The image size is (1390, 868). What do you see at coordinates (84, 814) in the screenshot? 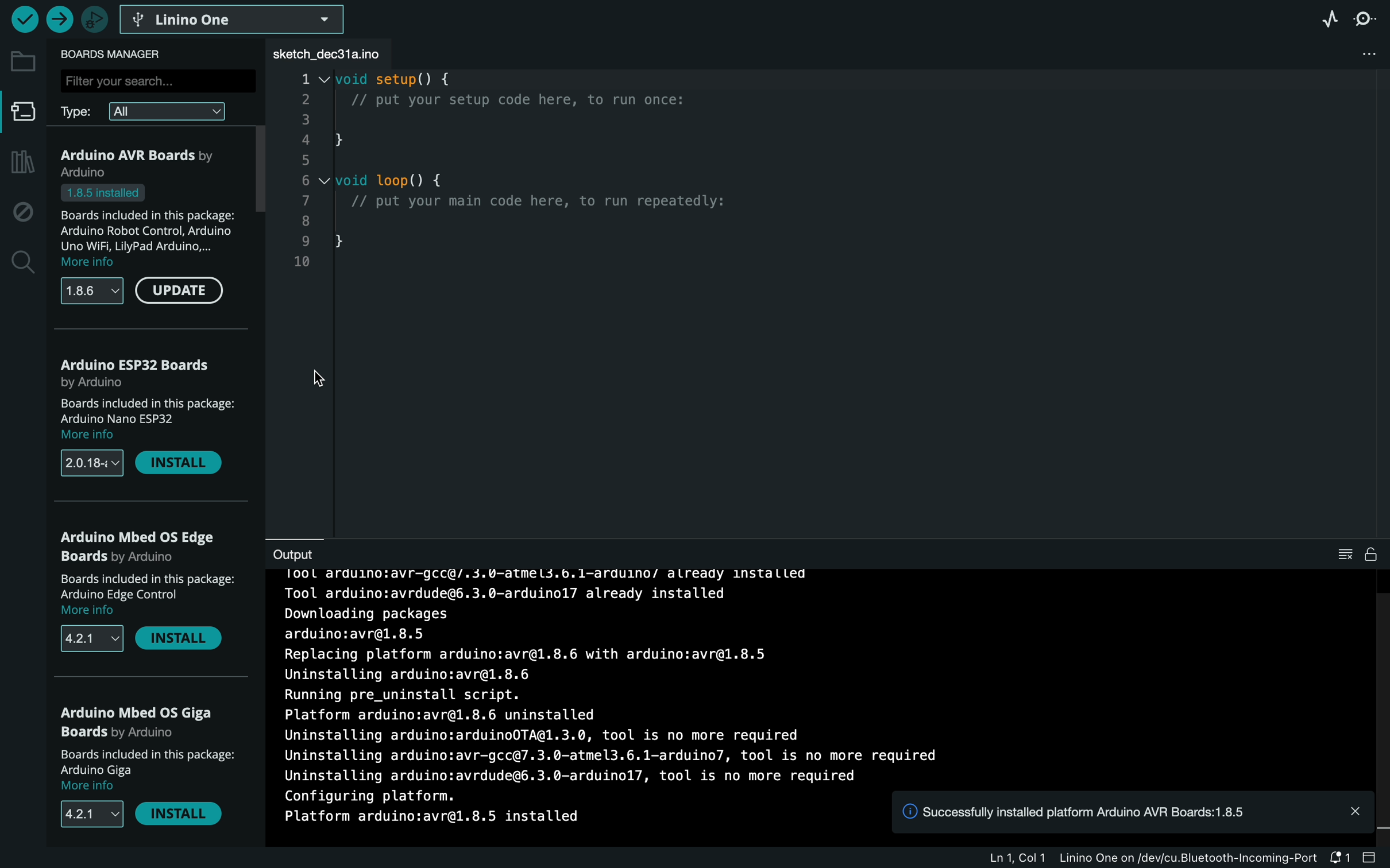
I see `versions` at bounding box center [84, 814].